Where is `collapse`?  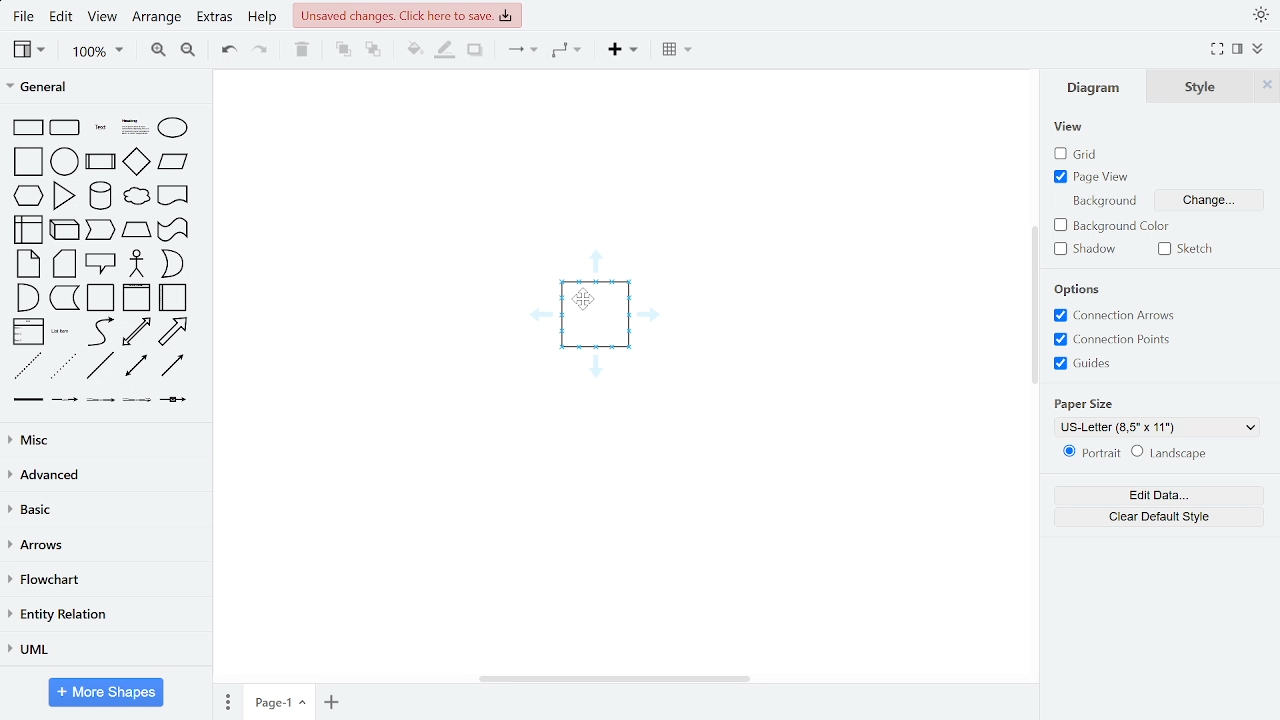 collapse is located at coordinates (1258, 47).